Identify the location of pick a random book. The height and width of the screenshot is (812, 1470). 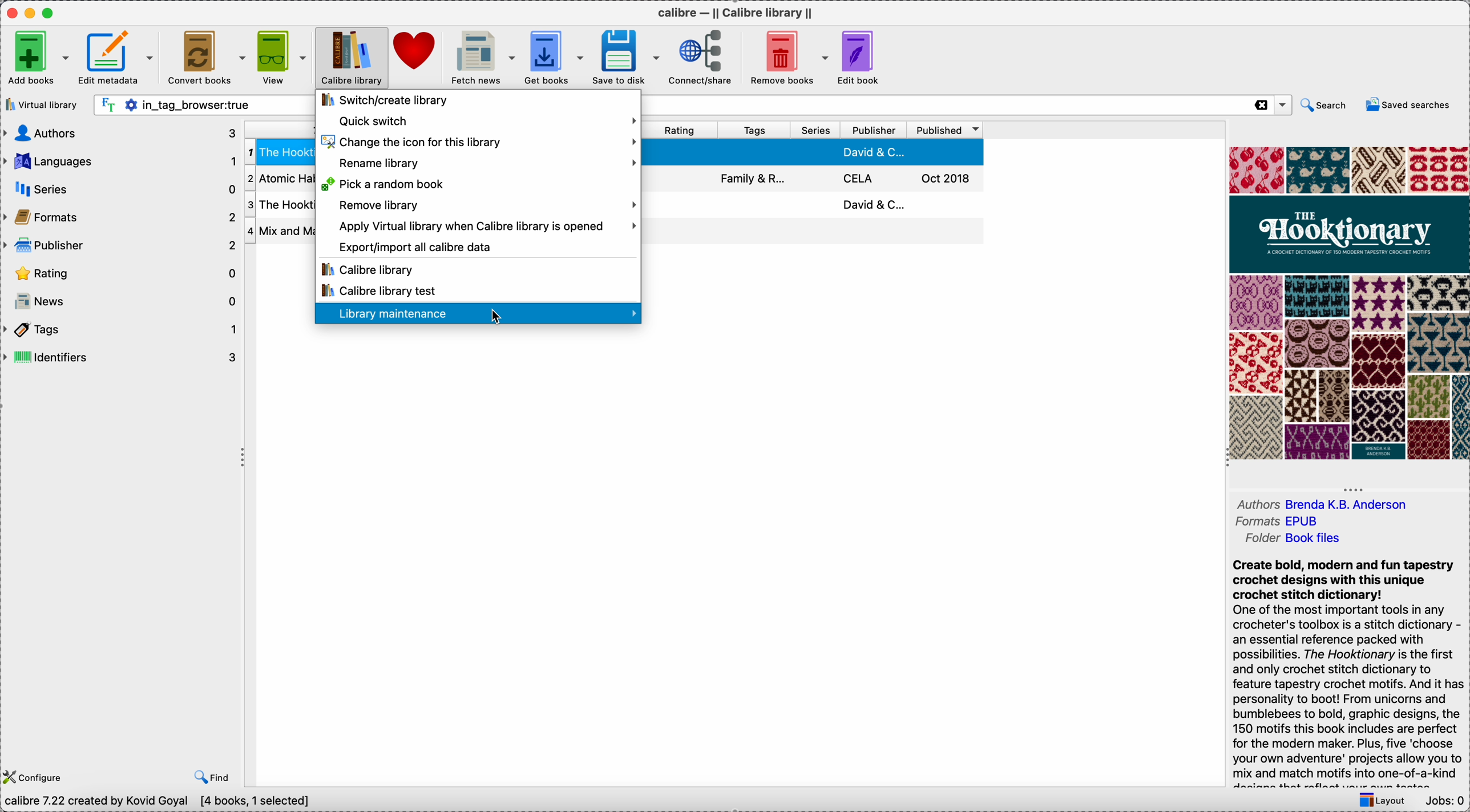
(389, 184).